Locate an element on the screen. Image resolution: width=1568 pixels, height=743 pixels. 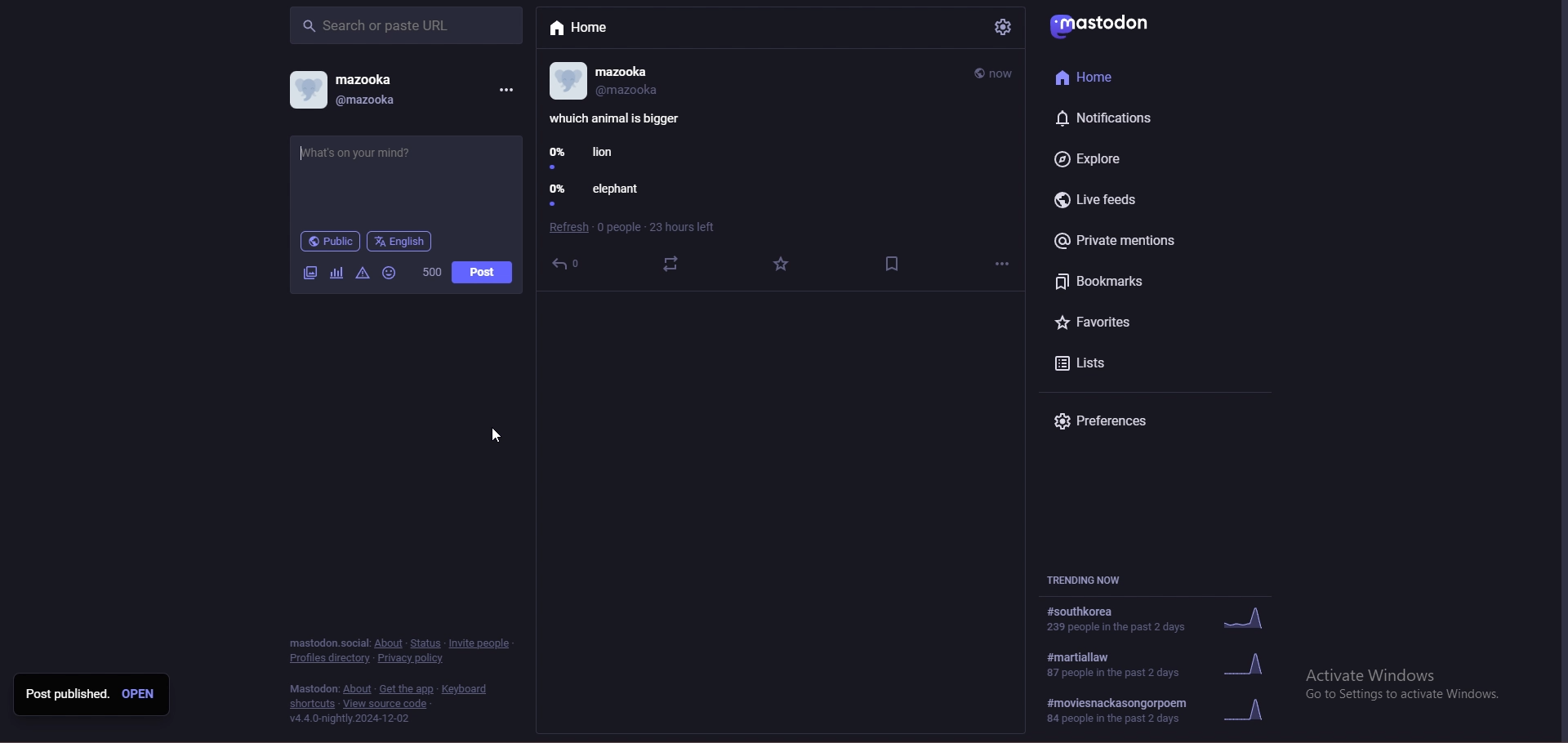
bookmarks is located at coordinates (1126, 281).